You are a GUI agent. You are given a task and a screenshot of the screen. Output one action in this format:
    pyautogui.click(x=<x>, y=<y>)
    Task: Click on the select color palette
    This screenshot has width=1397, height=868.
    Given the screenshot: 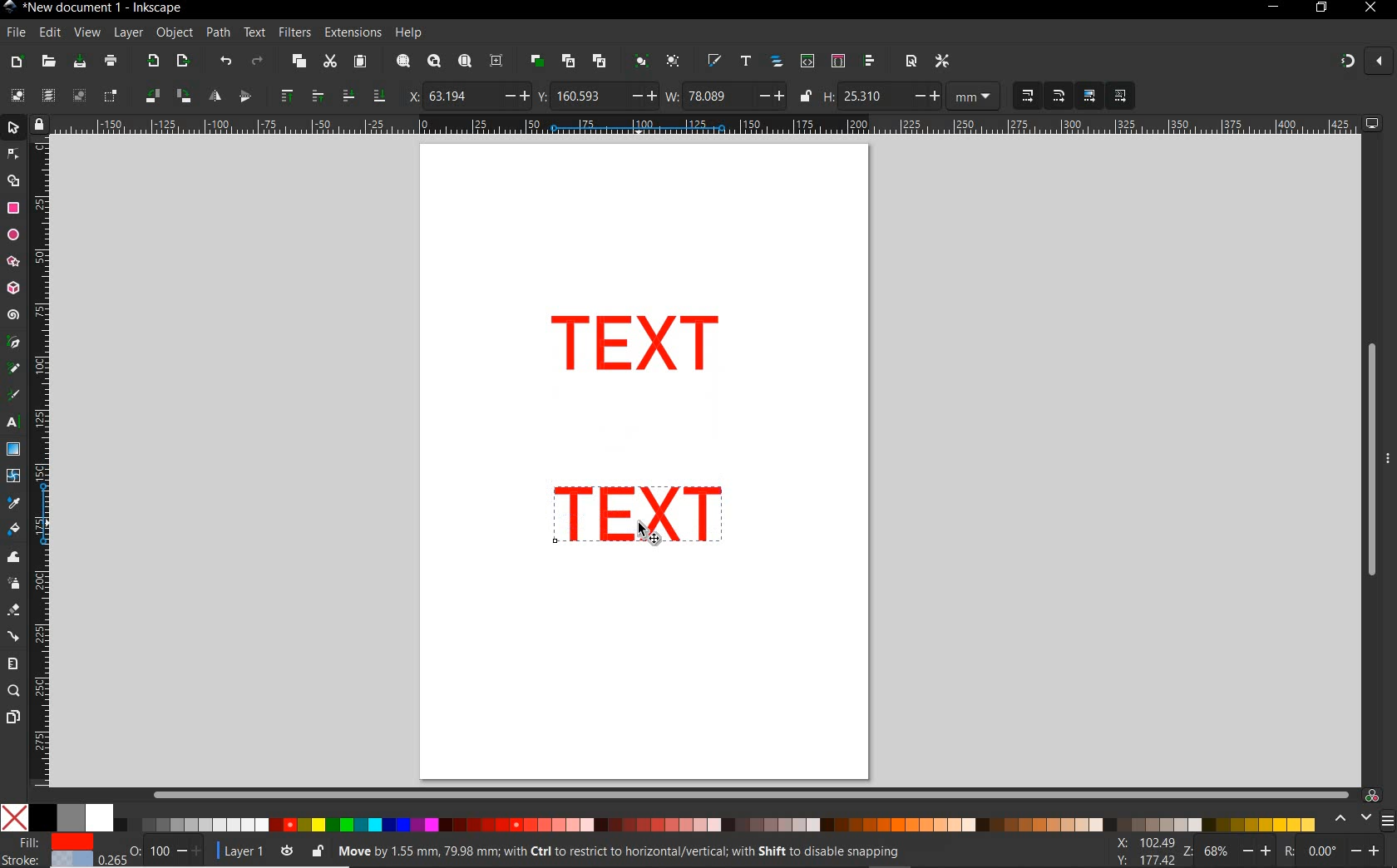 What is the action you would take?
    pyautogui.click(x=1361, y=819)
    